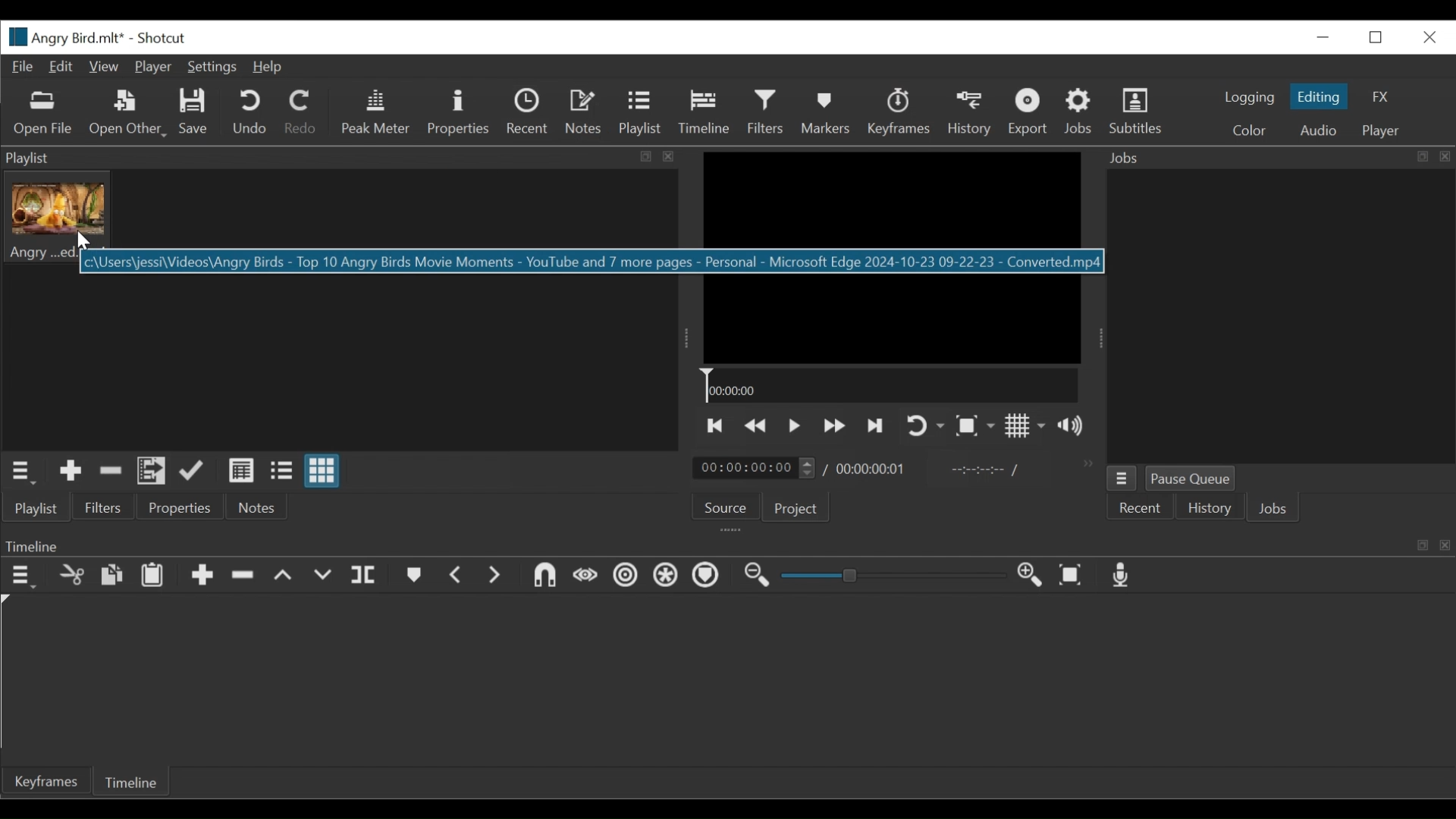 This screenshot has width=1456, height=819. What do you see at coordinates (285, 575) in the screenshot?
I see `lift` at bounding box center [285, 575].